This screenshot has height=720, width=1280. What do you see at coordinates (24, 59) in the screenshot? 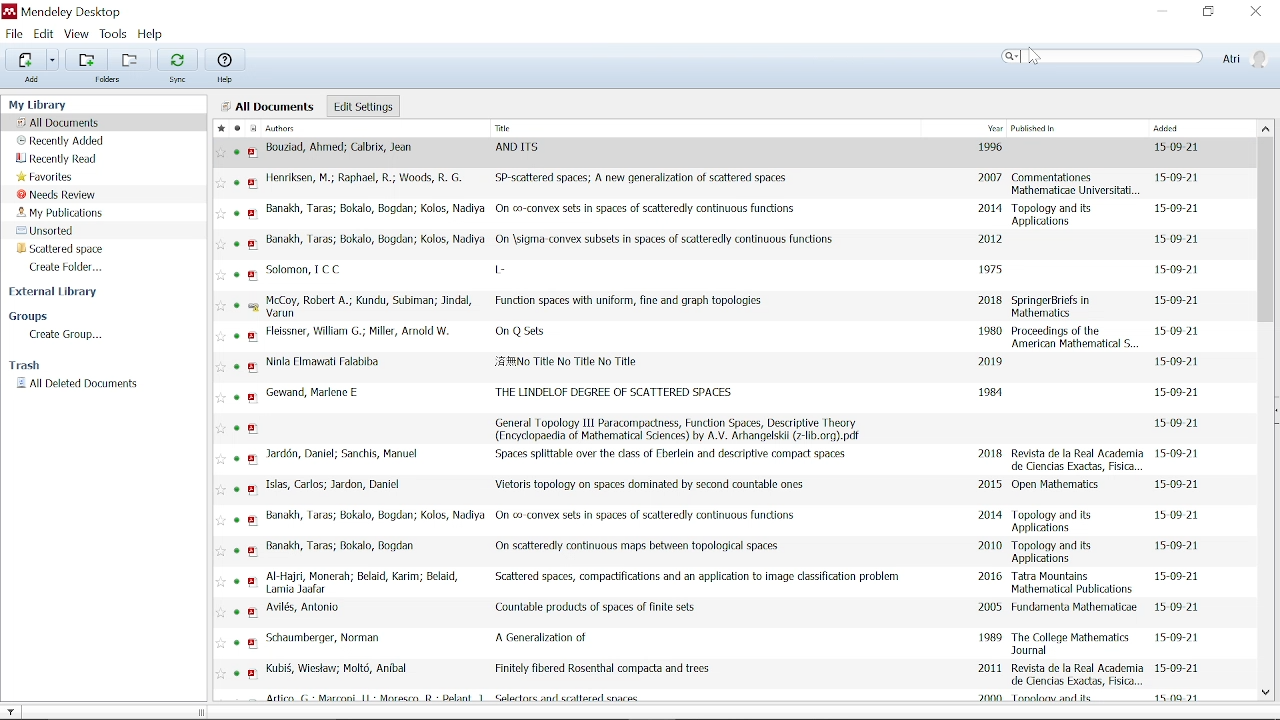
I see `Add files` at bounding box center [24, 59].